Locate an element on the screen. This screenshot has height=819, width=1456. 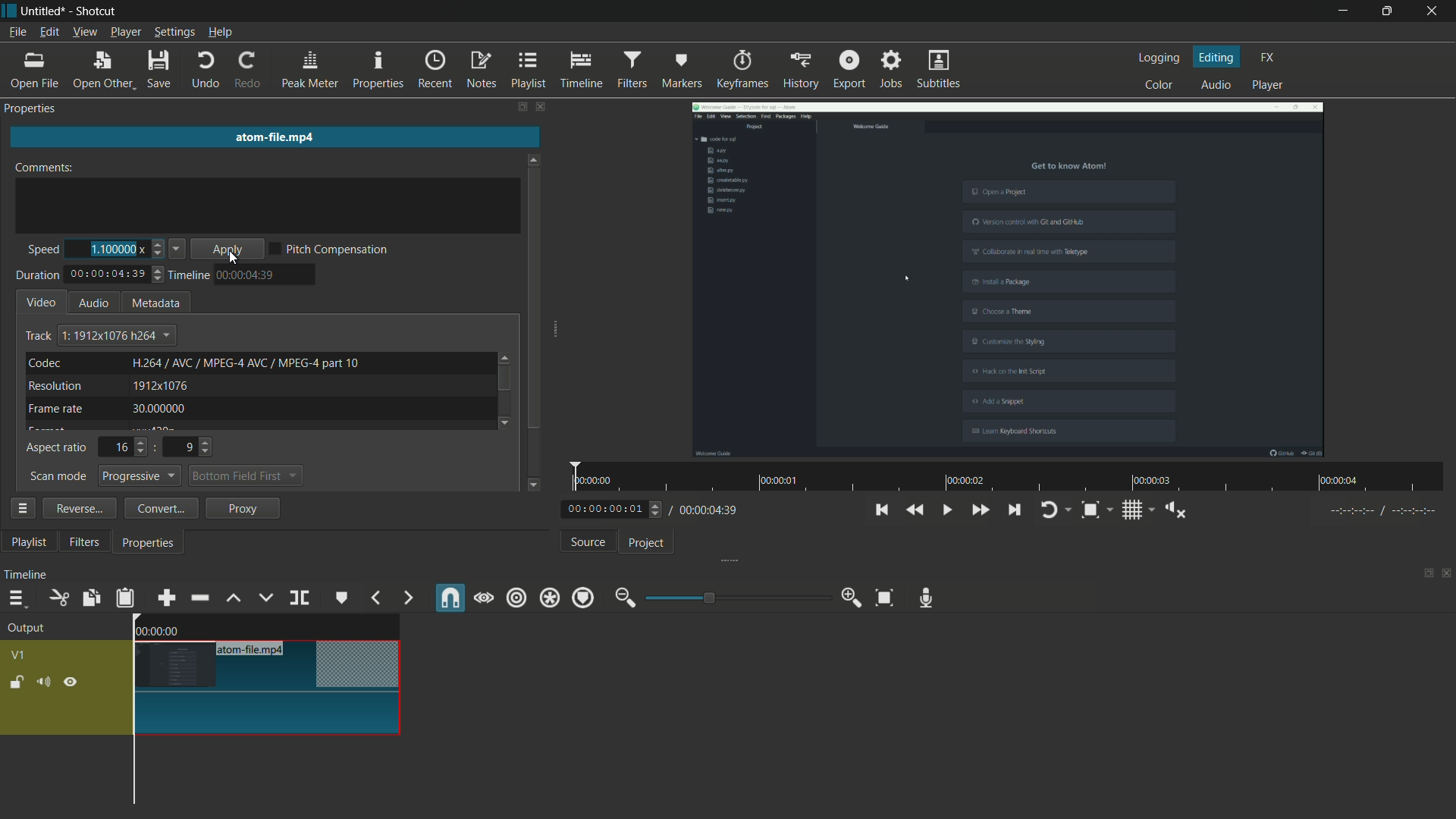
keyframes is located at coordinates (742, 68).